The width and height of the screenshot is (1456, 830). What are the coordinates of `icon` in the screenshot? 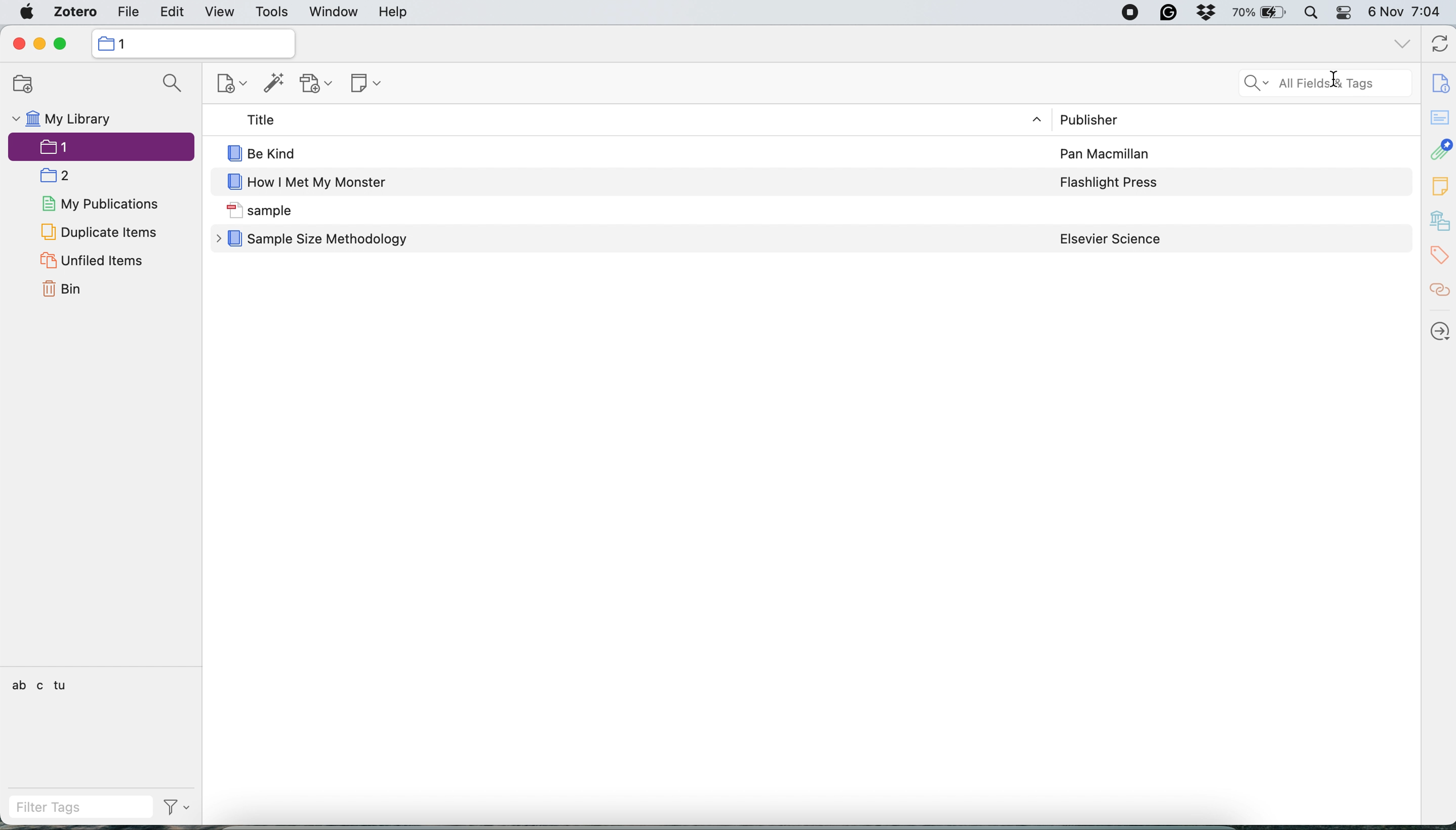 It's located at (233, 183).